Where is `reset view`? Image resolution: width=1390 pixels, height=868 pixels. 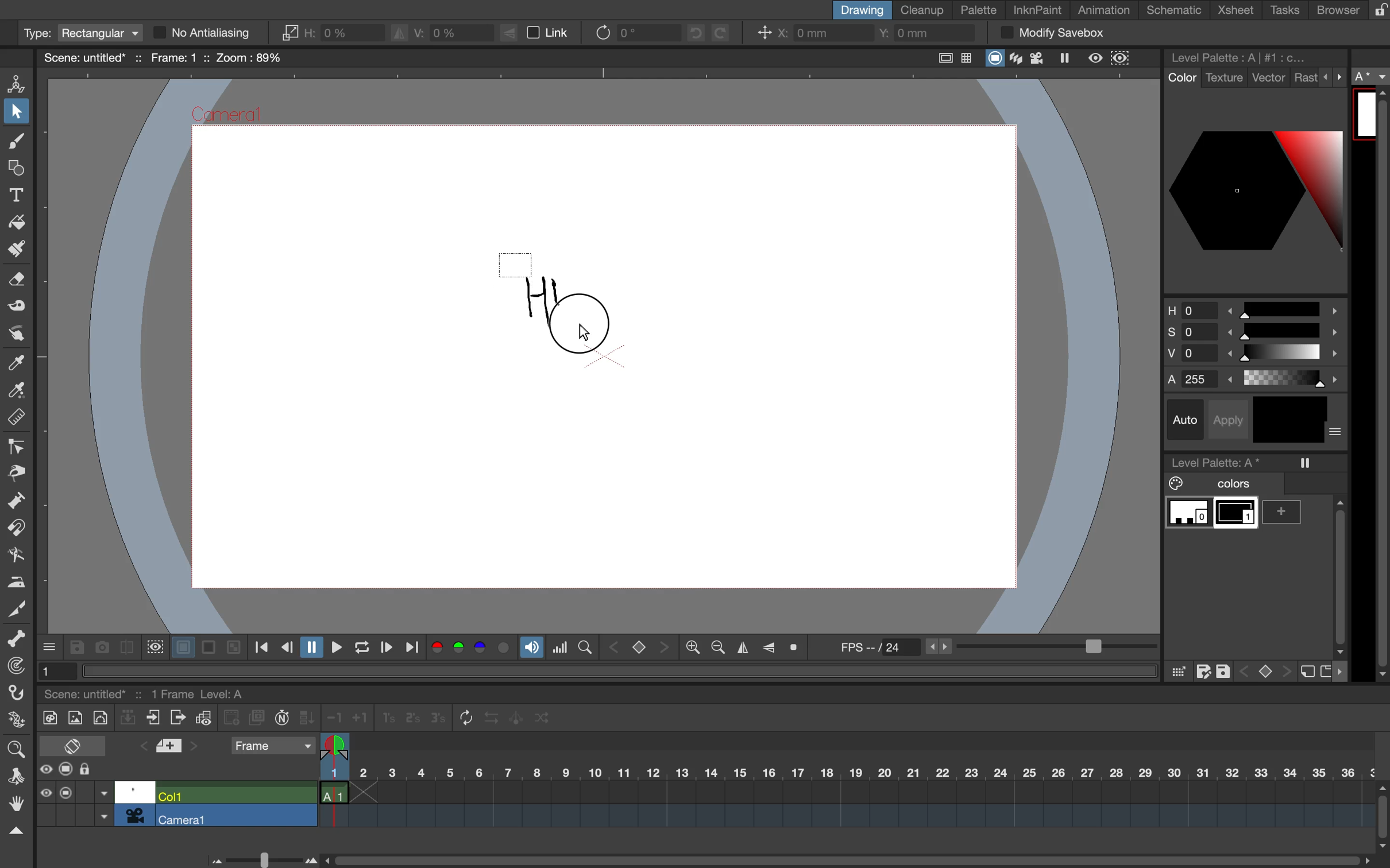 reset view is located at coordinates (798, 648).